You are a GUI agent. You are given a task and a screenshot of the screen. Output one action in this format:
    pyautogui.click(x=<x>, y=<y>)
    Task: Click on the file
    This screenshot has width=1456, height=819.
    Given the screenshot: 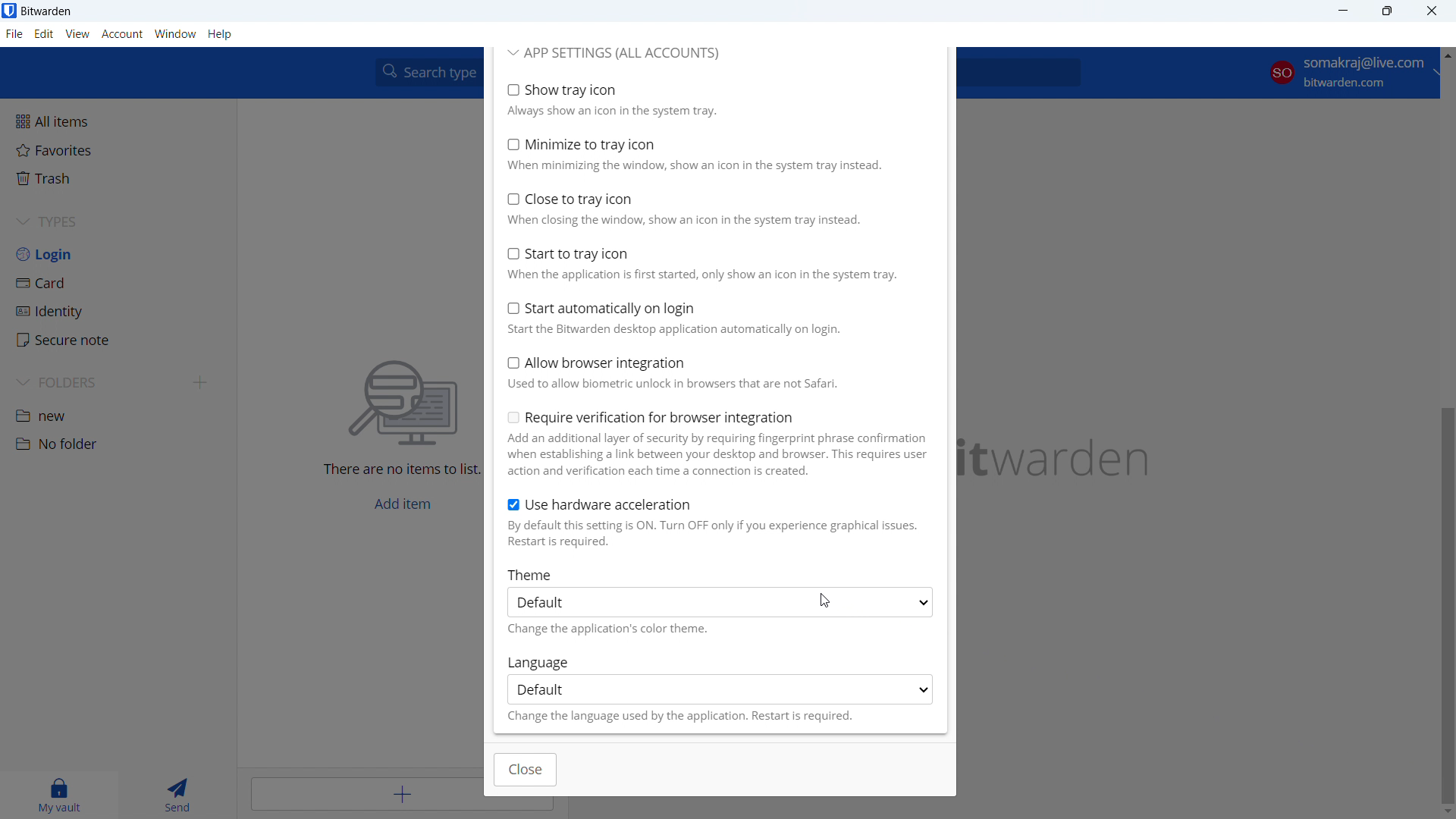 What is the action you would take?
    pyautogui.click(x=14, y=34)
    